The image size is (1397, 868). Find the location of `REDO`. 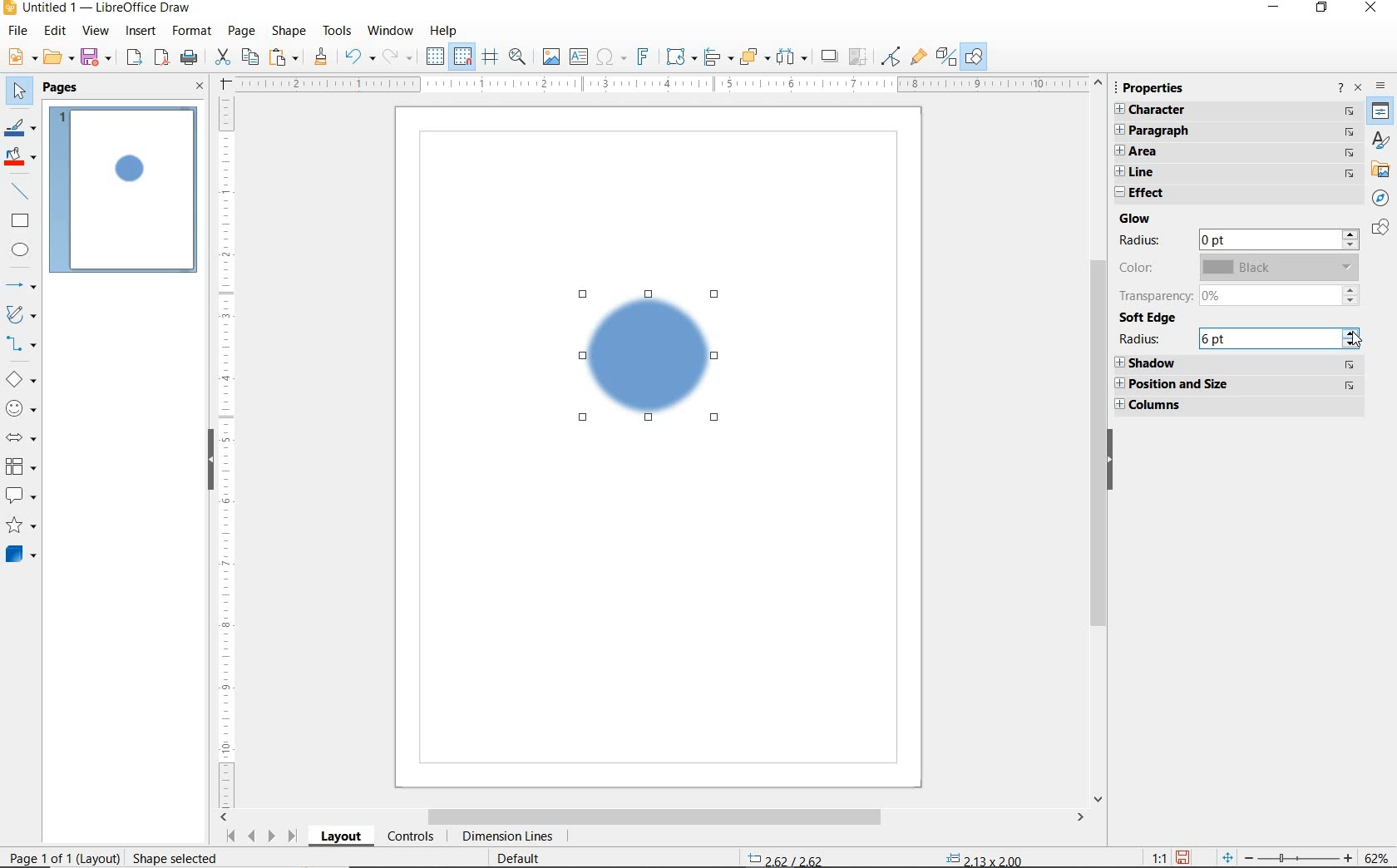

REDO is located at coordinates (398, 57).